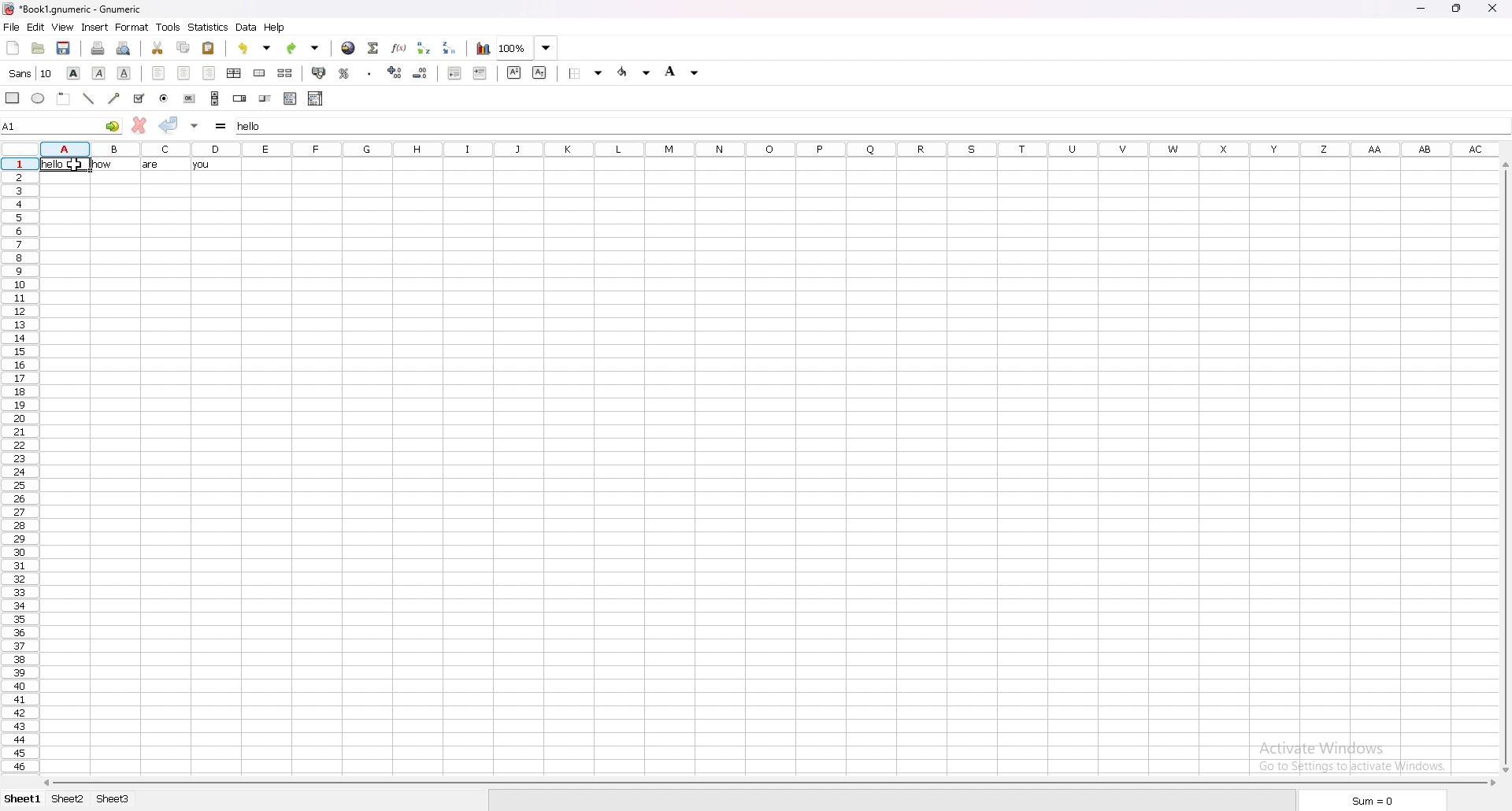  Describe the element at coordinates (369, 72) in the screenshot. I see `thousand separator` at that location.